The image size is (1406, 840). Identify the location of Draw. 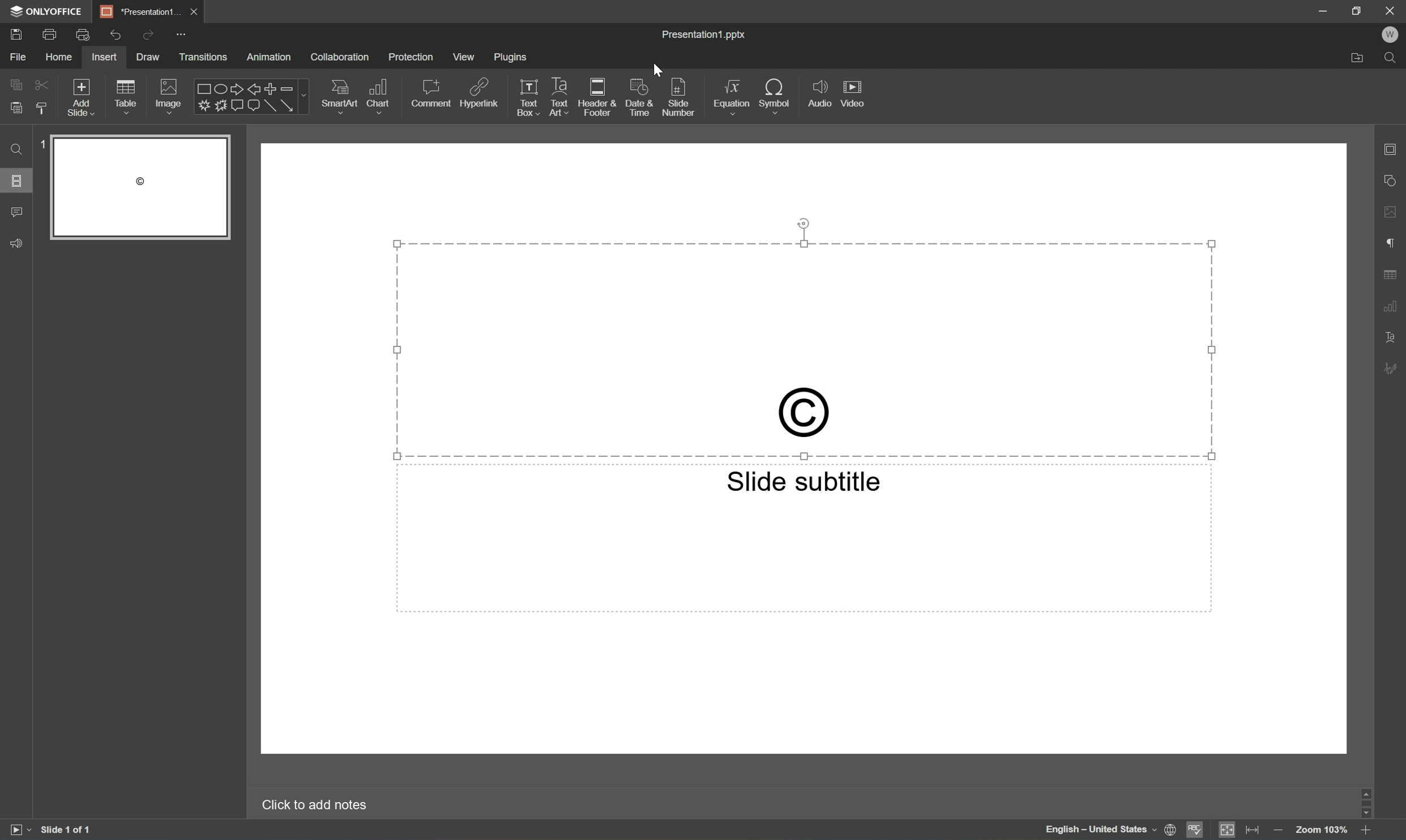
(148, 57).